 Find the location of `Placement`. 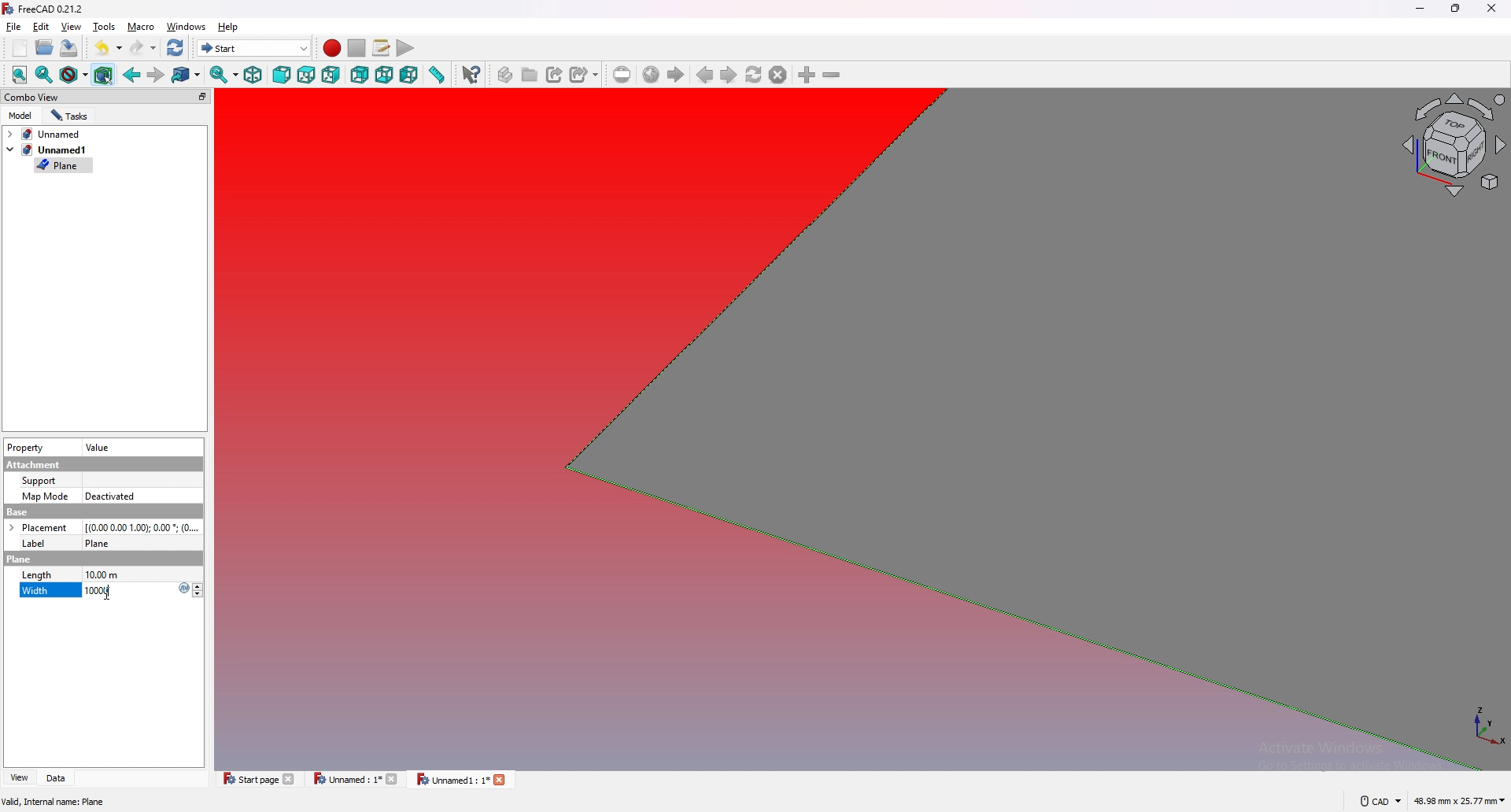

Placement is located at coordinates (38, 527).